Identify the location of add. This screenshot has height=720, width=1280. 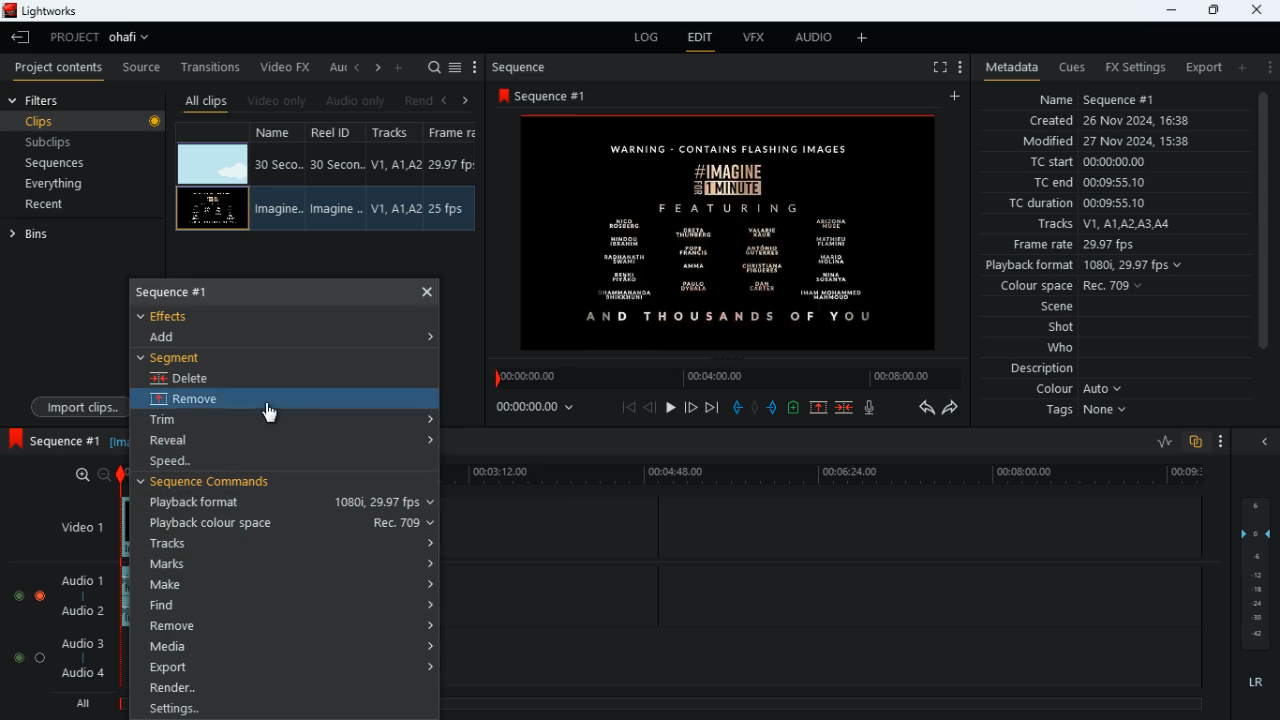
(960, 96).